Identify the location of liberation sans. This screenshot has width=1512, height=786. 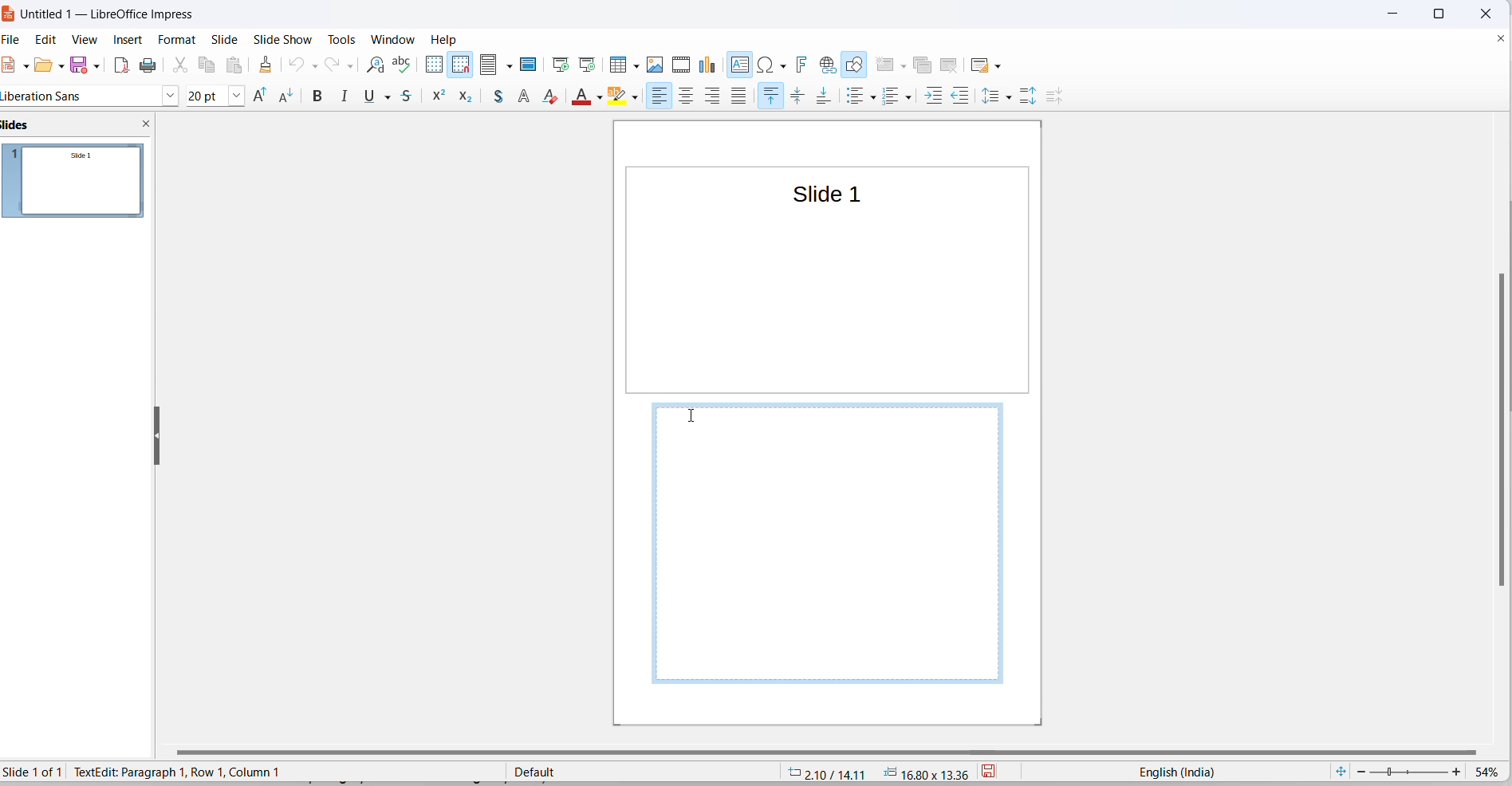
(48, 94).